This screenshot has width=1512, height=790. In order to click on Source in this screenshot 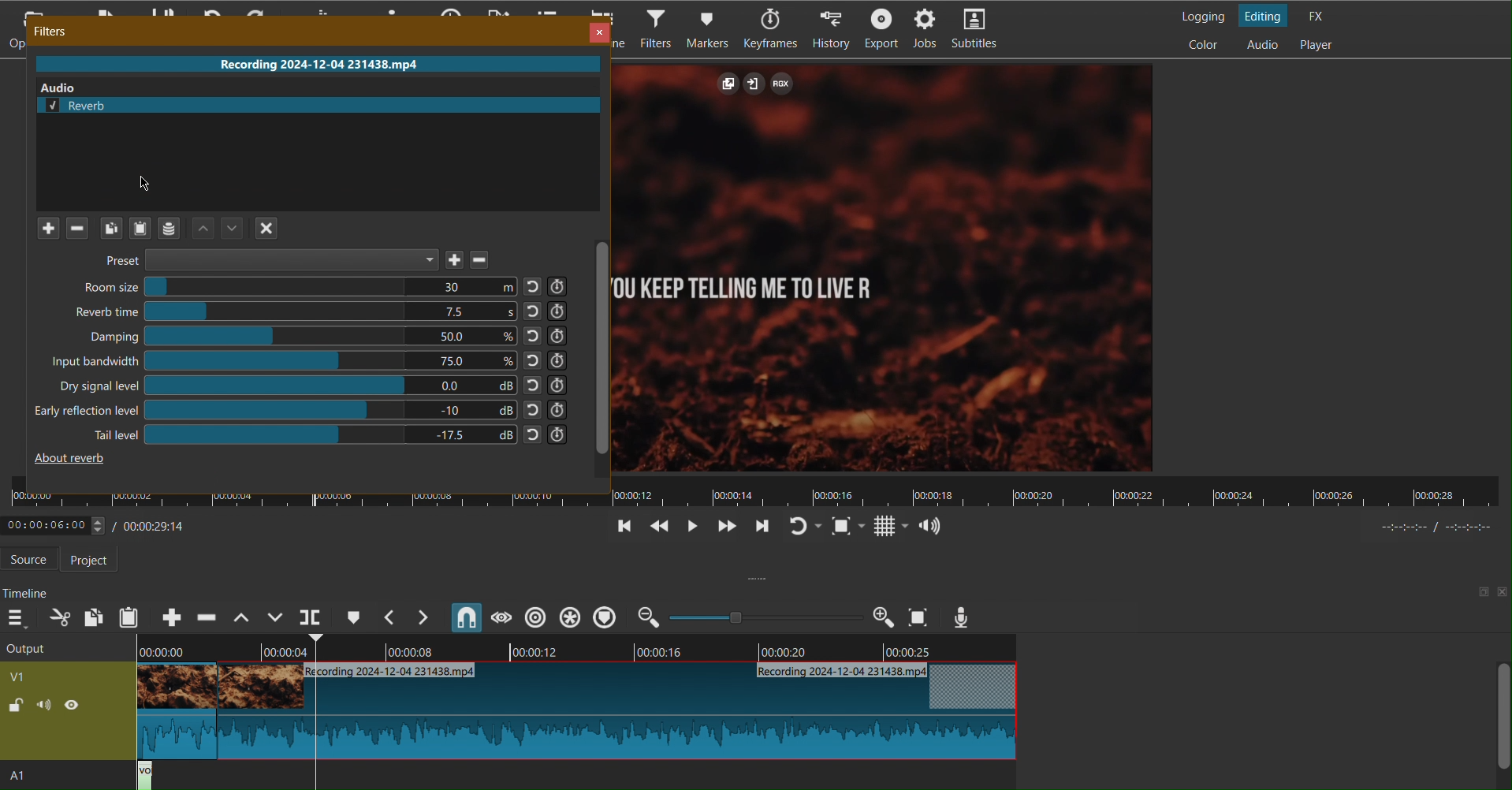, I will do `click(33, 559)`.